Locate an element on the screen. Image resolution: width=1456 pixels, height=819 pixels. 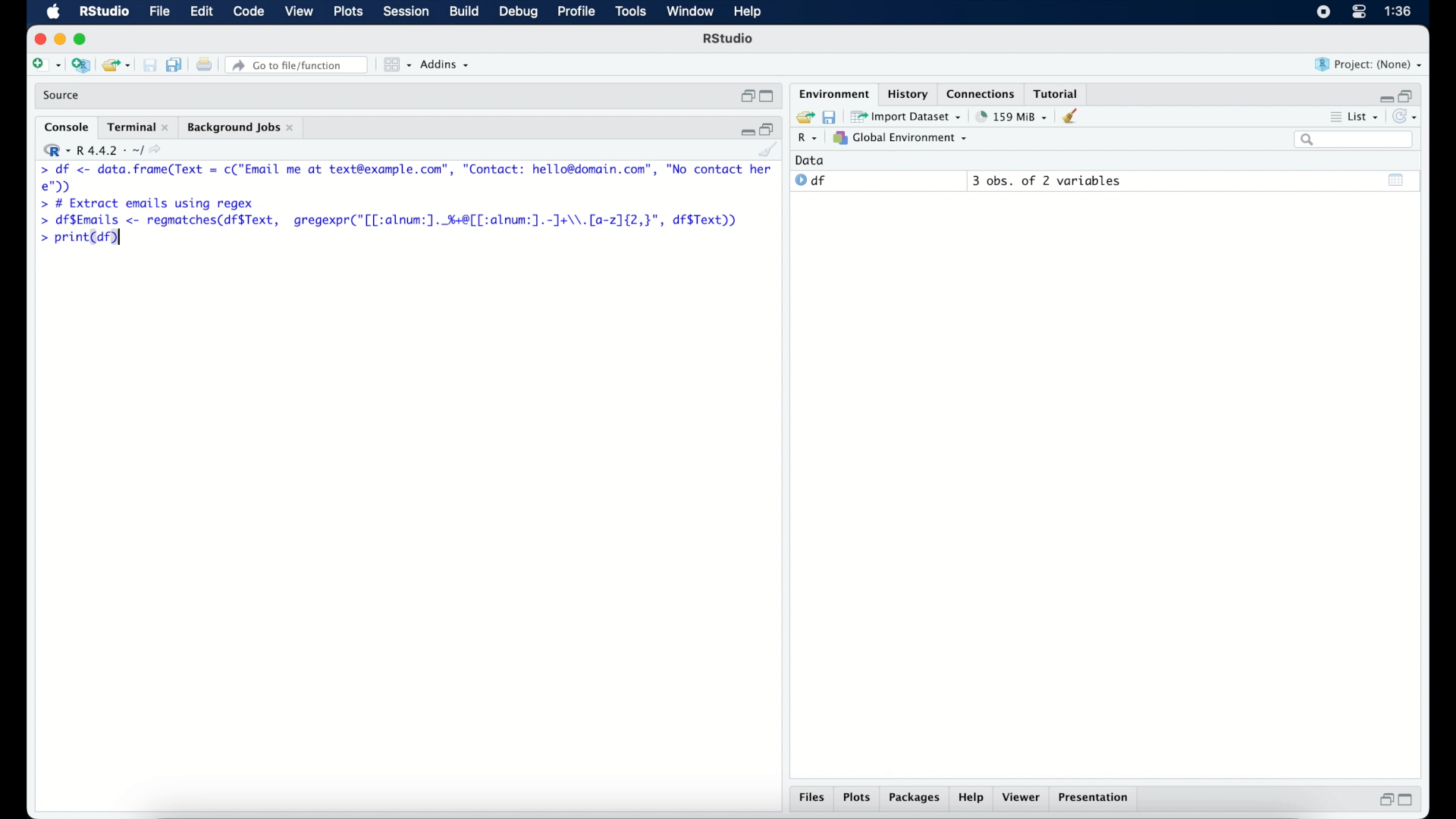
close is located at coordinates (37, 37).